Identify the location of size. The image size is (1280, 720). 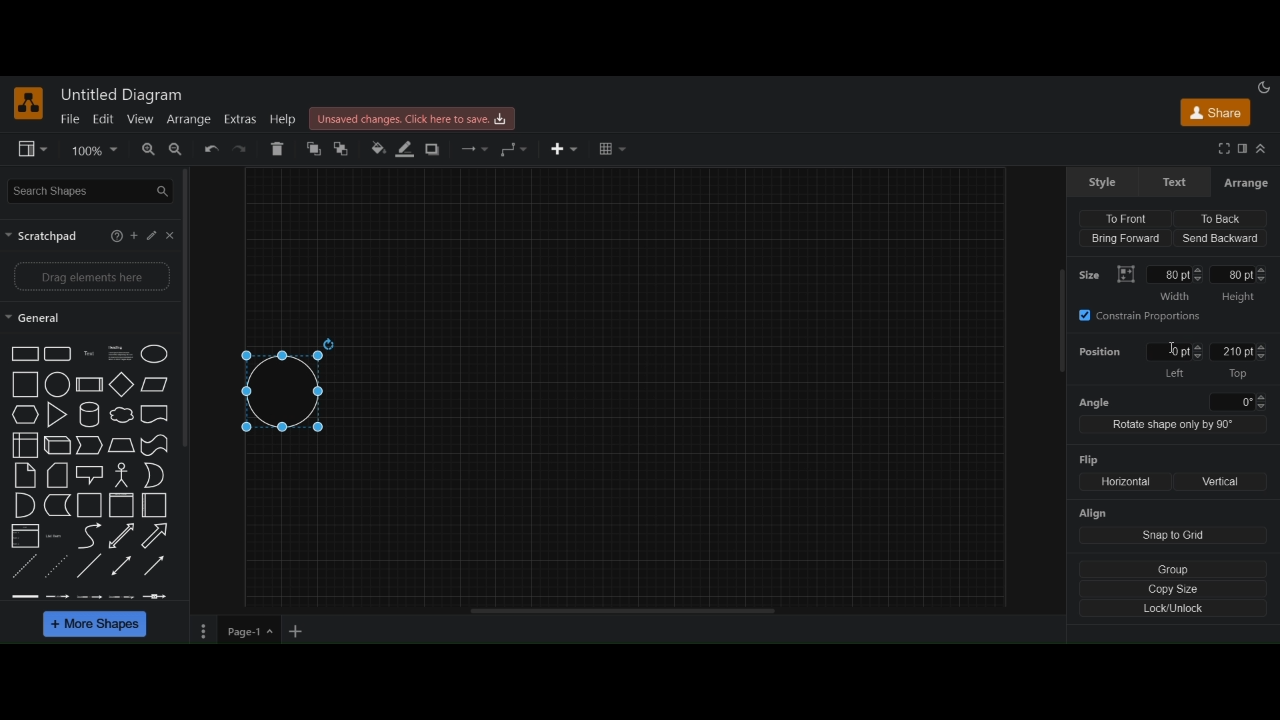
(1093, 273).